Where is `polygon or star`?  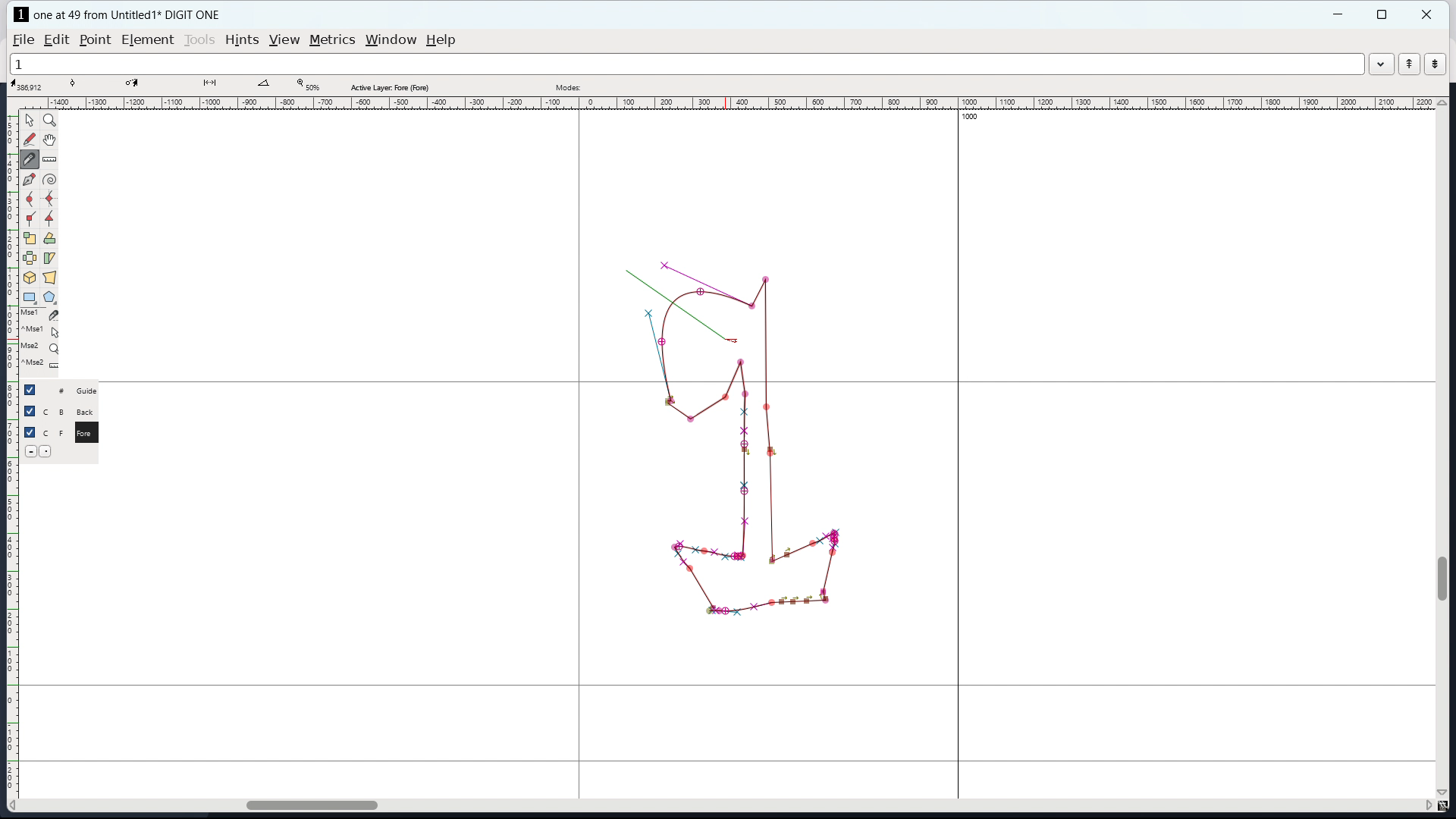 polygon or star is located at coordinates (49, 297).